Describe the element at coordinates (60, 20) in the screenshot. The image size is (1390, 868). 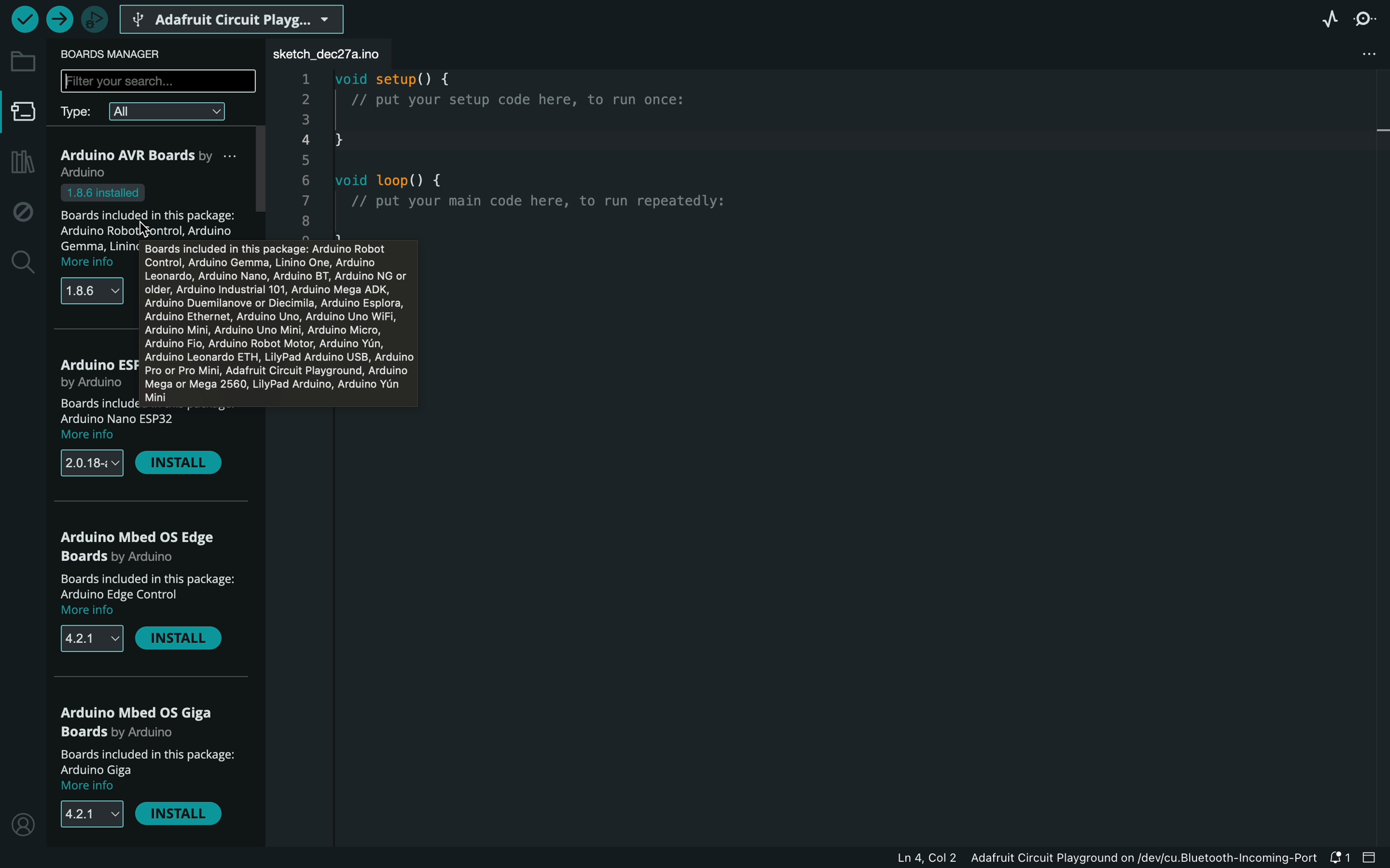
I see `upload` at that location.